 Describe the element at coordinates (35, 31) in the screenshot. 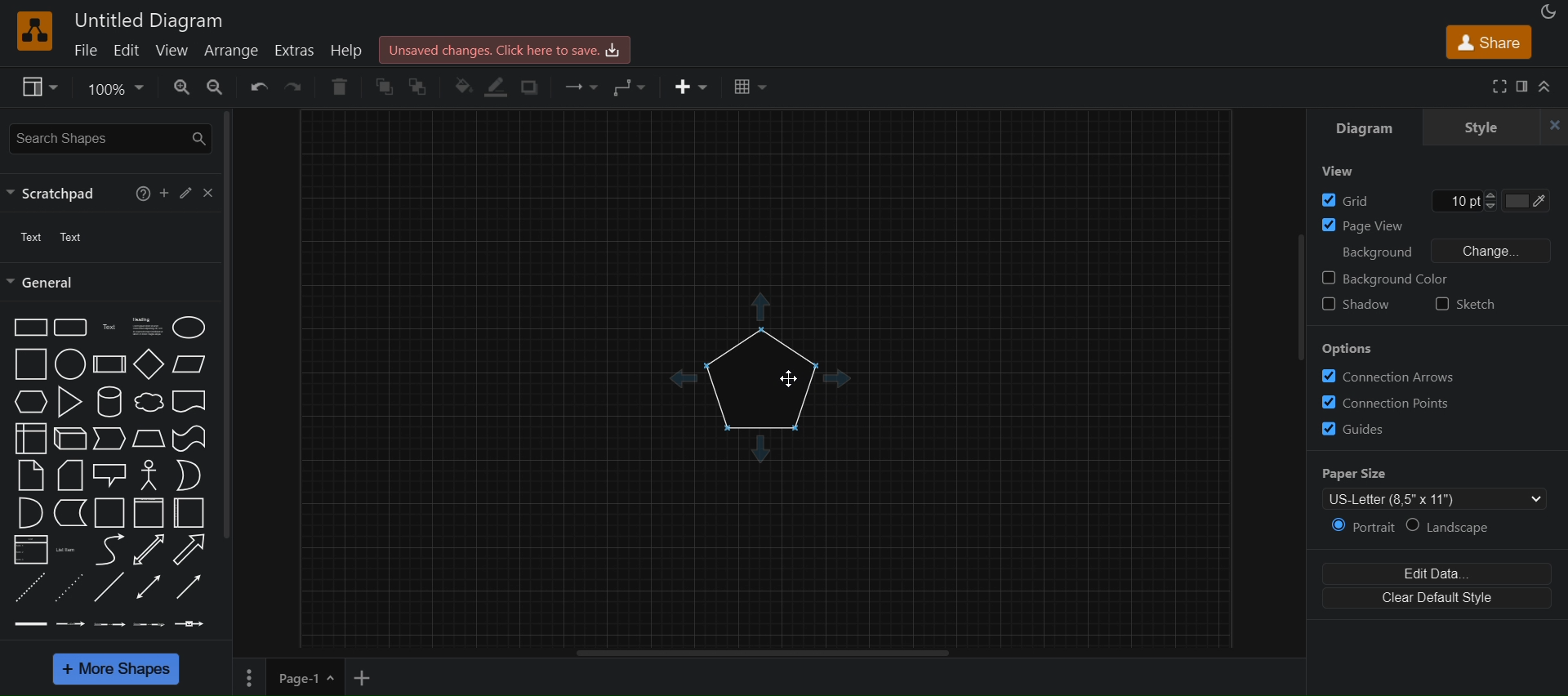

I see `Software logo` at that location.